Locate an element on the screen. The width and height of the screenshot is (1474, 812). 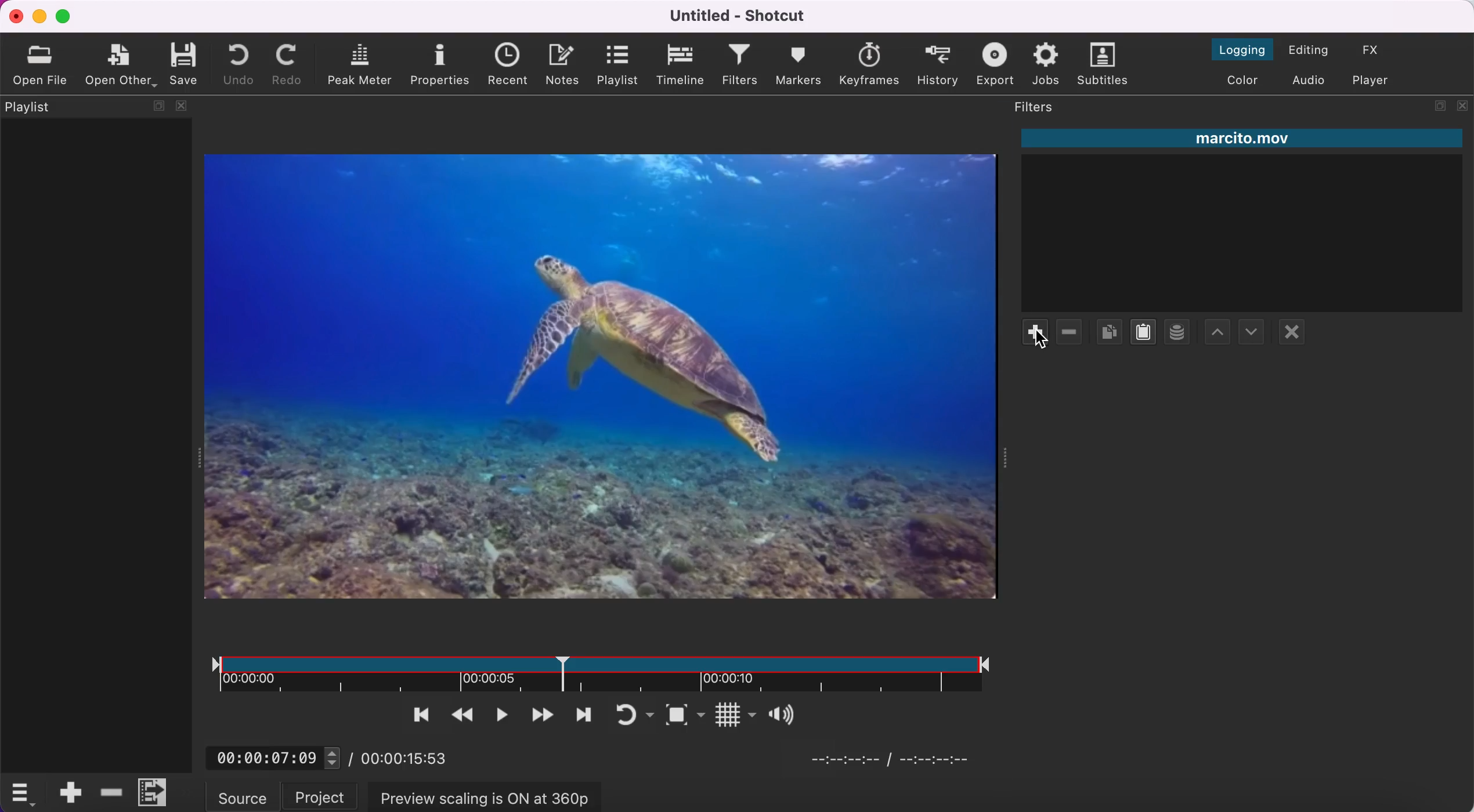
properties is located at coordinates (440, 65).